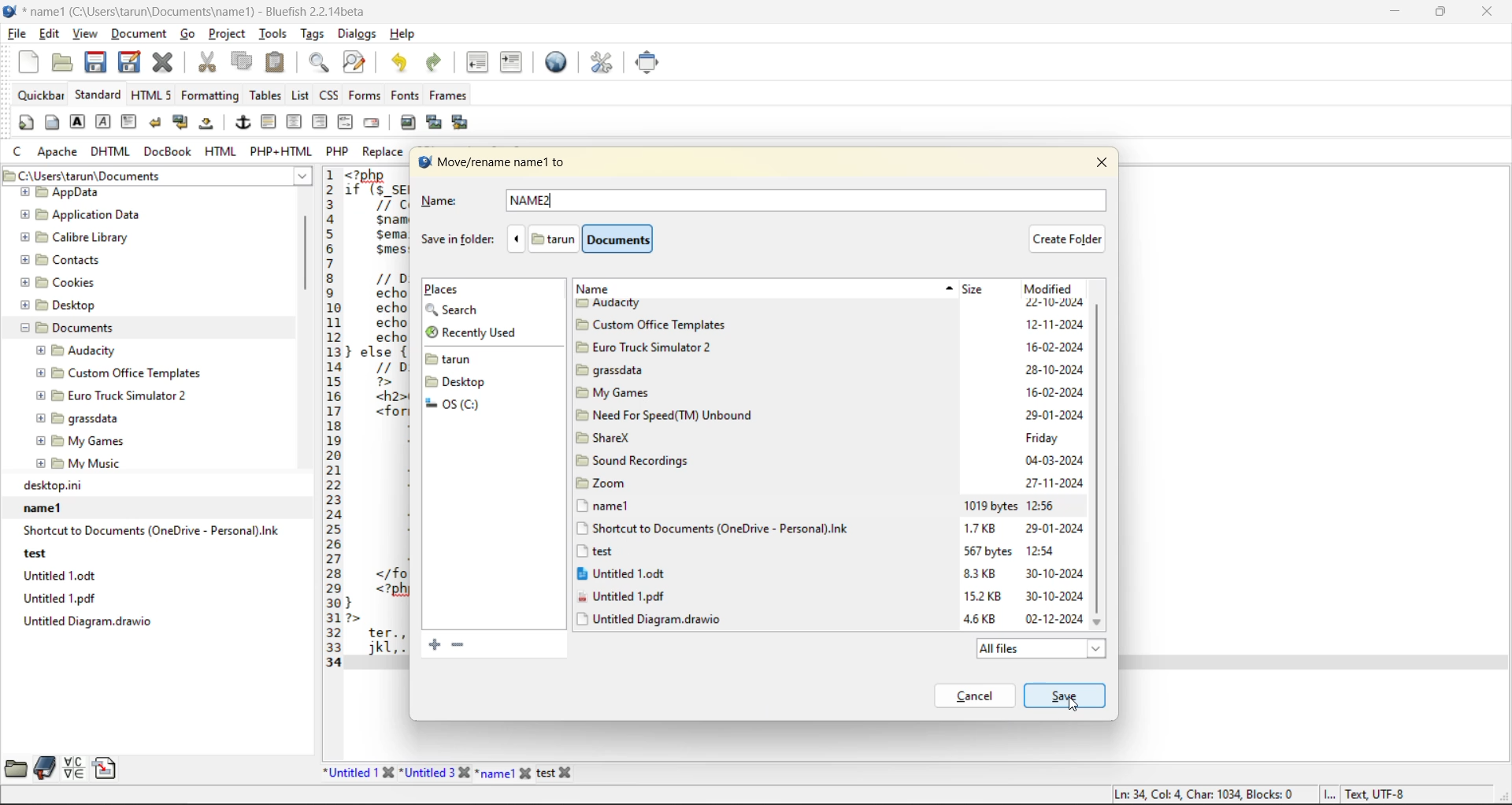 This screenshot has height=805, width=1512. Describe the element at coordinates (267, 123) in the screenshot. I see `horizontal rule` at that location.